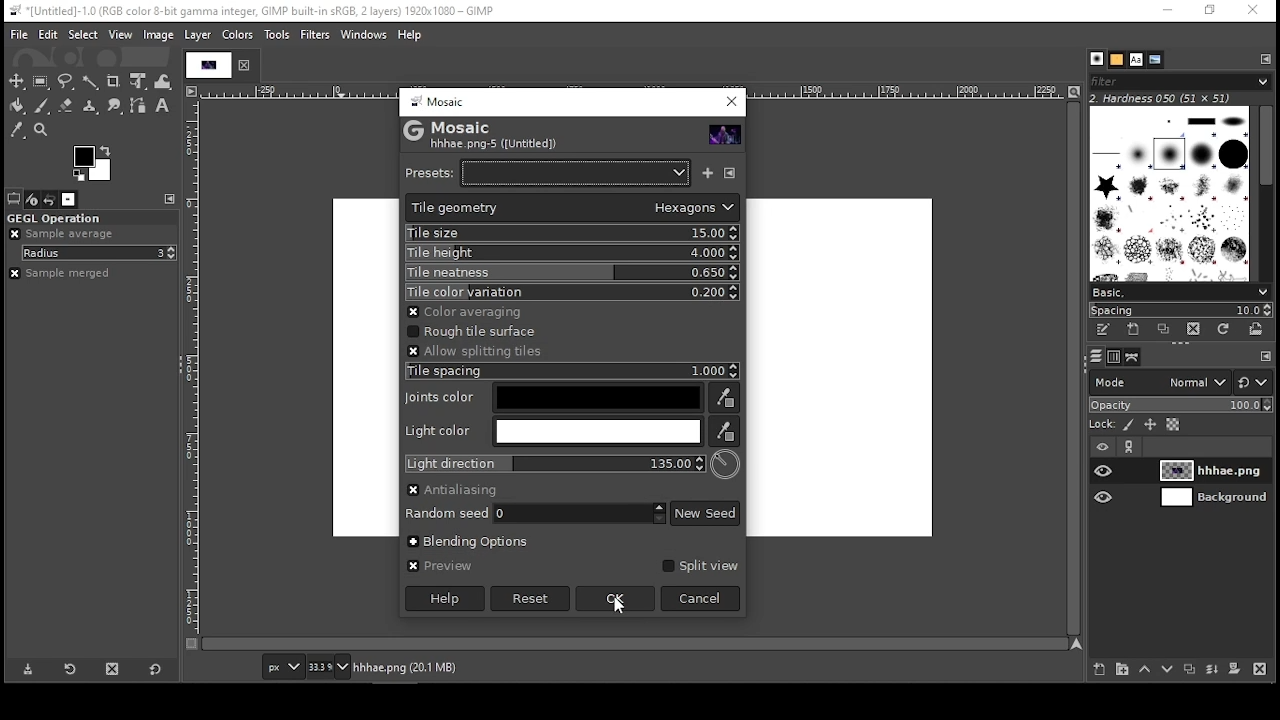 The image size is (1280, 720). I want to click on layer visibility on/off, so click(1105, 472).